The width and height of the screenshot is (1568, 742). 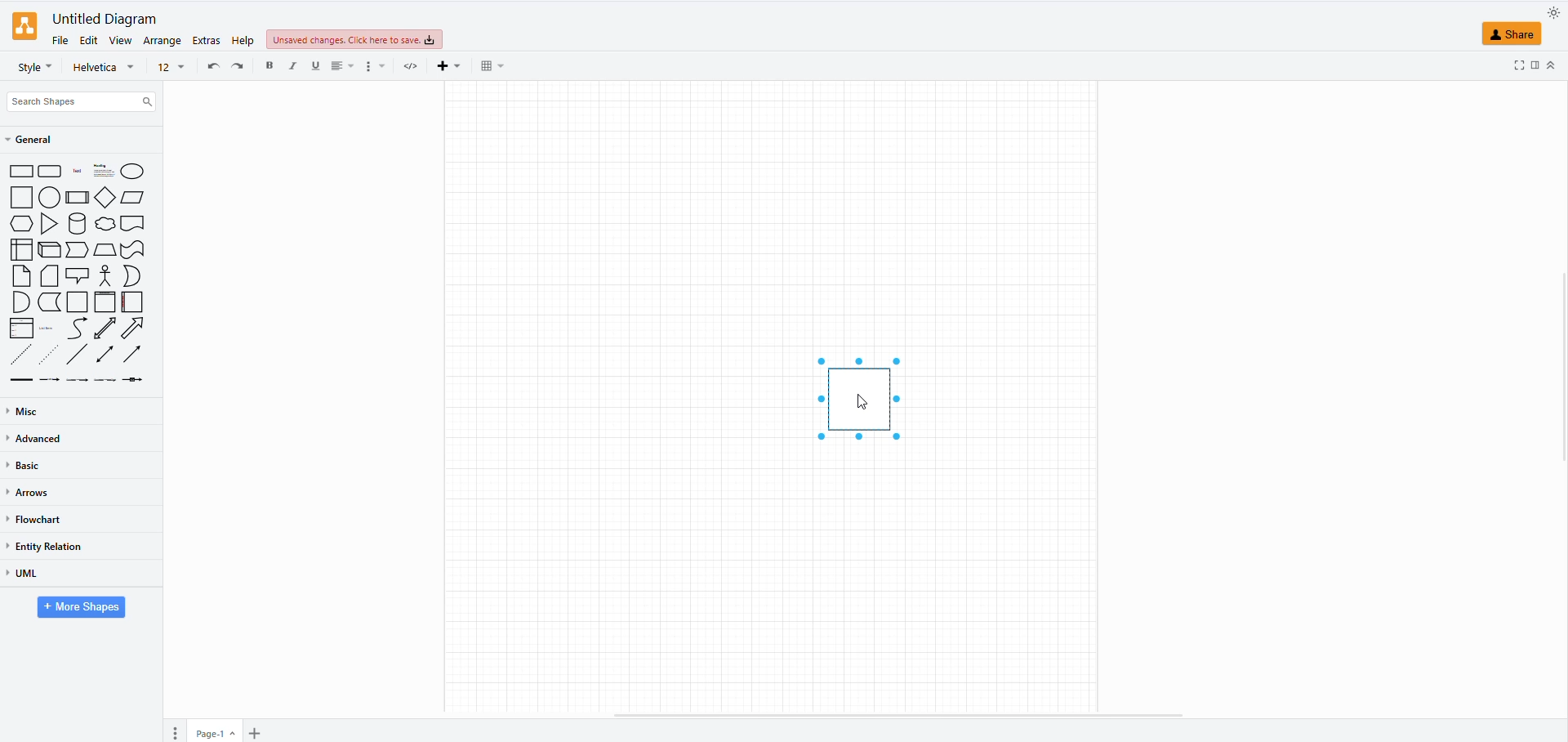 I want to click on edit, so click(x=90, y=40).